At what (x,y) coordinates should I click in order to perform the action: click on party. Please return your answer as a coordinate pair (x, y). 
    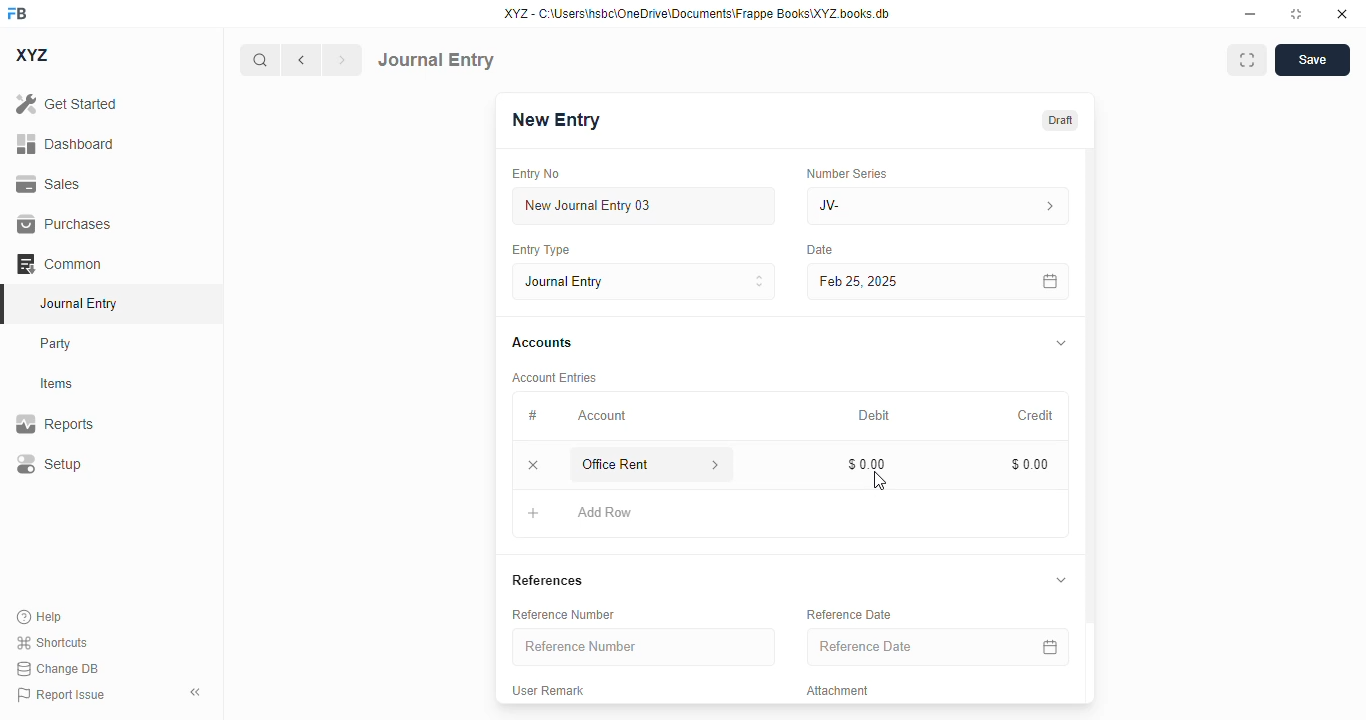
    Looking at the image, I should click on (56, 344).